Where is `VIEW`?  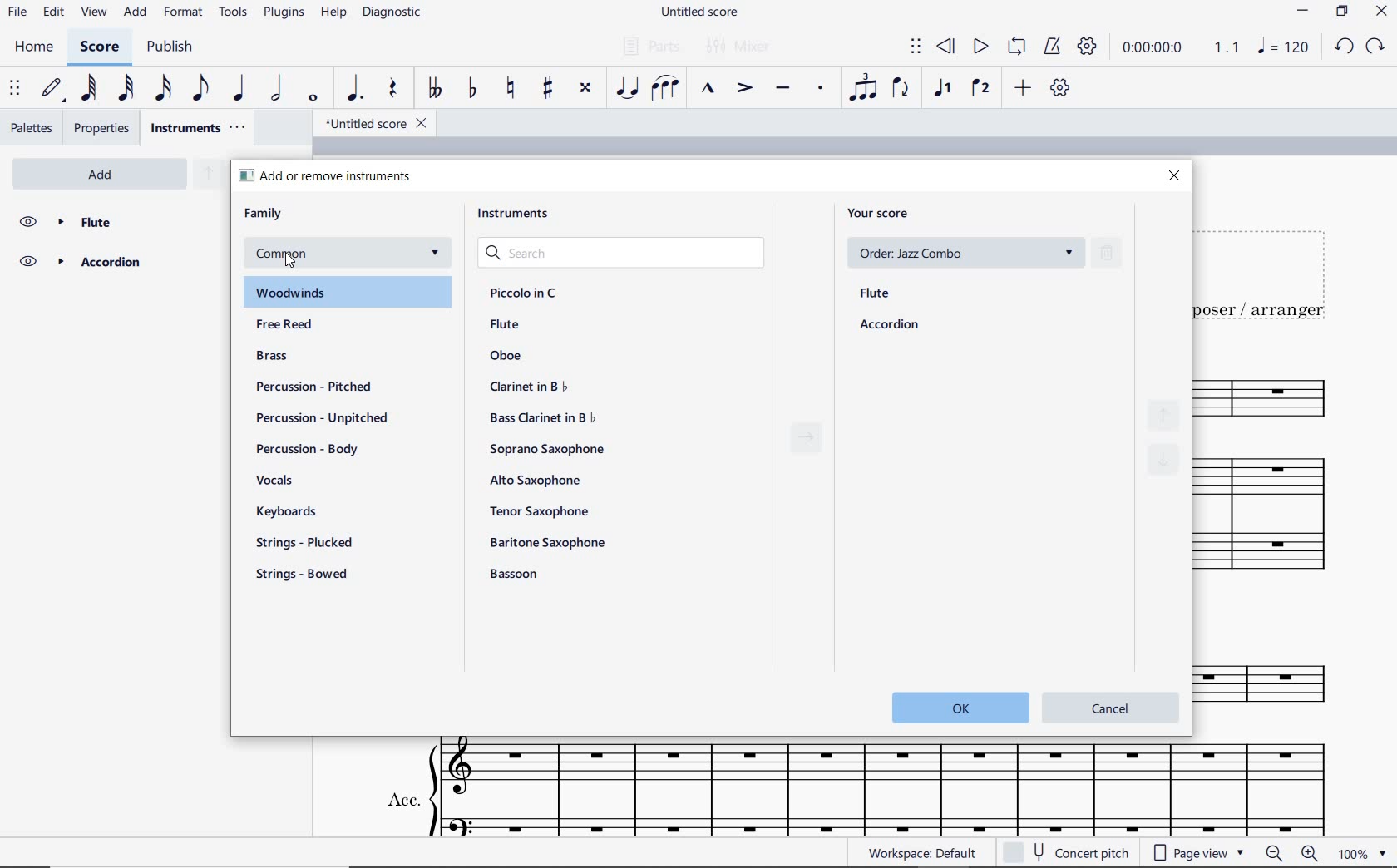
VIEW is located at coordinates (95, 12).